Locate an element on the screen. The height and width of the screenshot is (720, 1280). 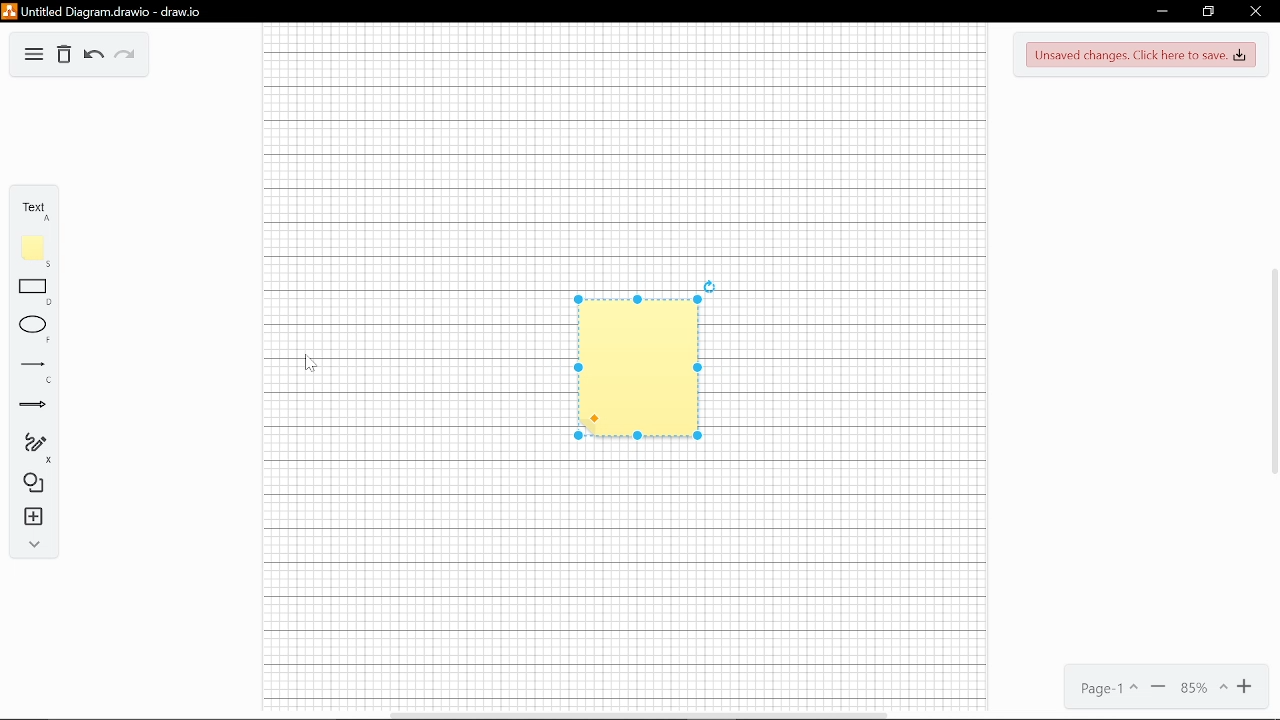
close is located at coordinates (1254, 13).